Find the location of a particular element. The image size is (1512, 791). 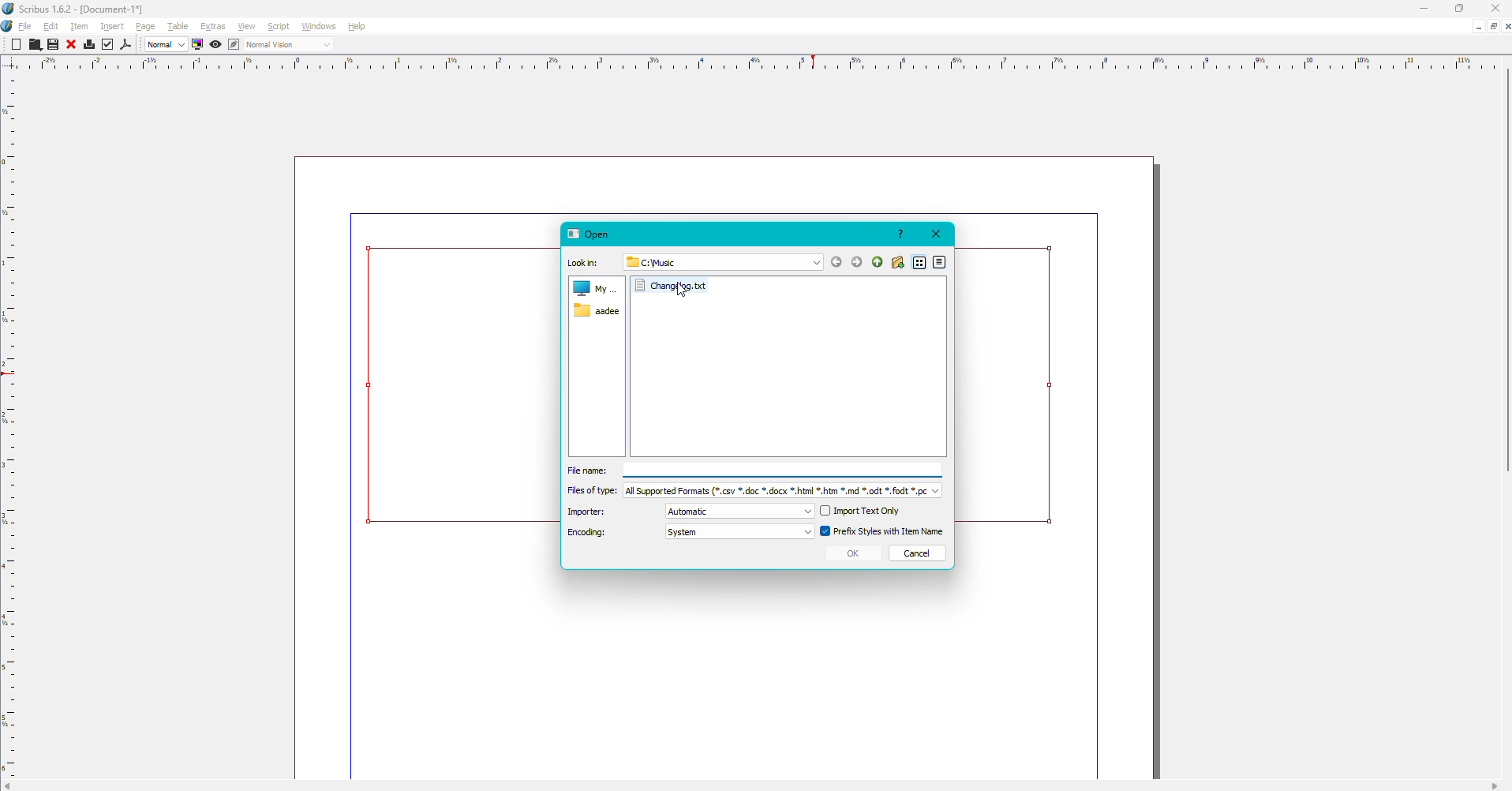

Normal is located at coordinates (164, 45).